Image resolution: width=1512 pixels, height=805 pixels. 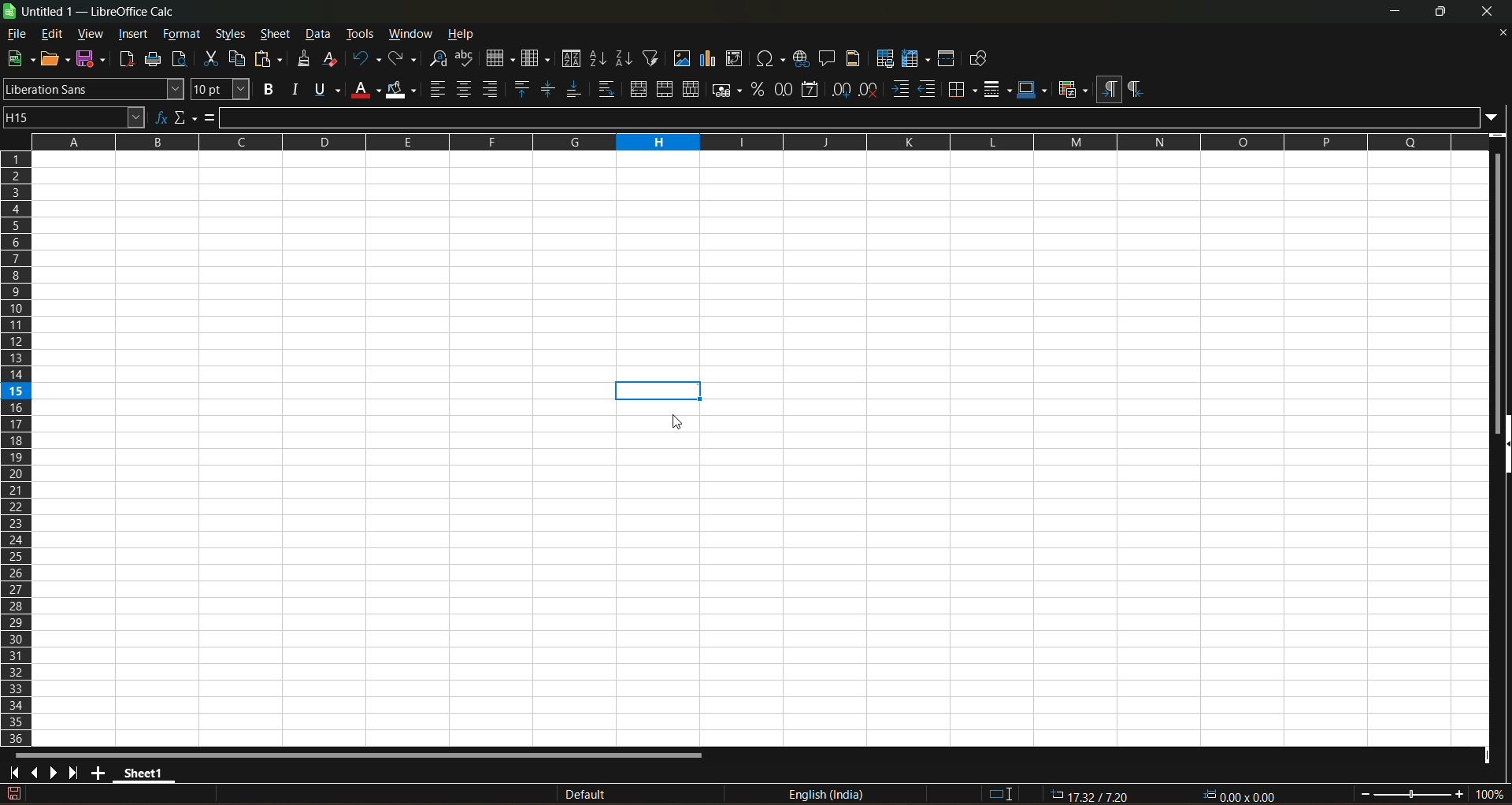 What do you see at coordinates (149, 773) in the screenshot?
I see `sheet 1` at bounding box center [149, 773].